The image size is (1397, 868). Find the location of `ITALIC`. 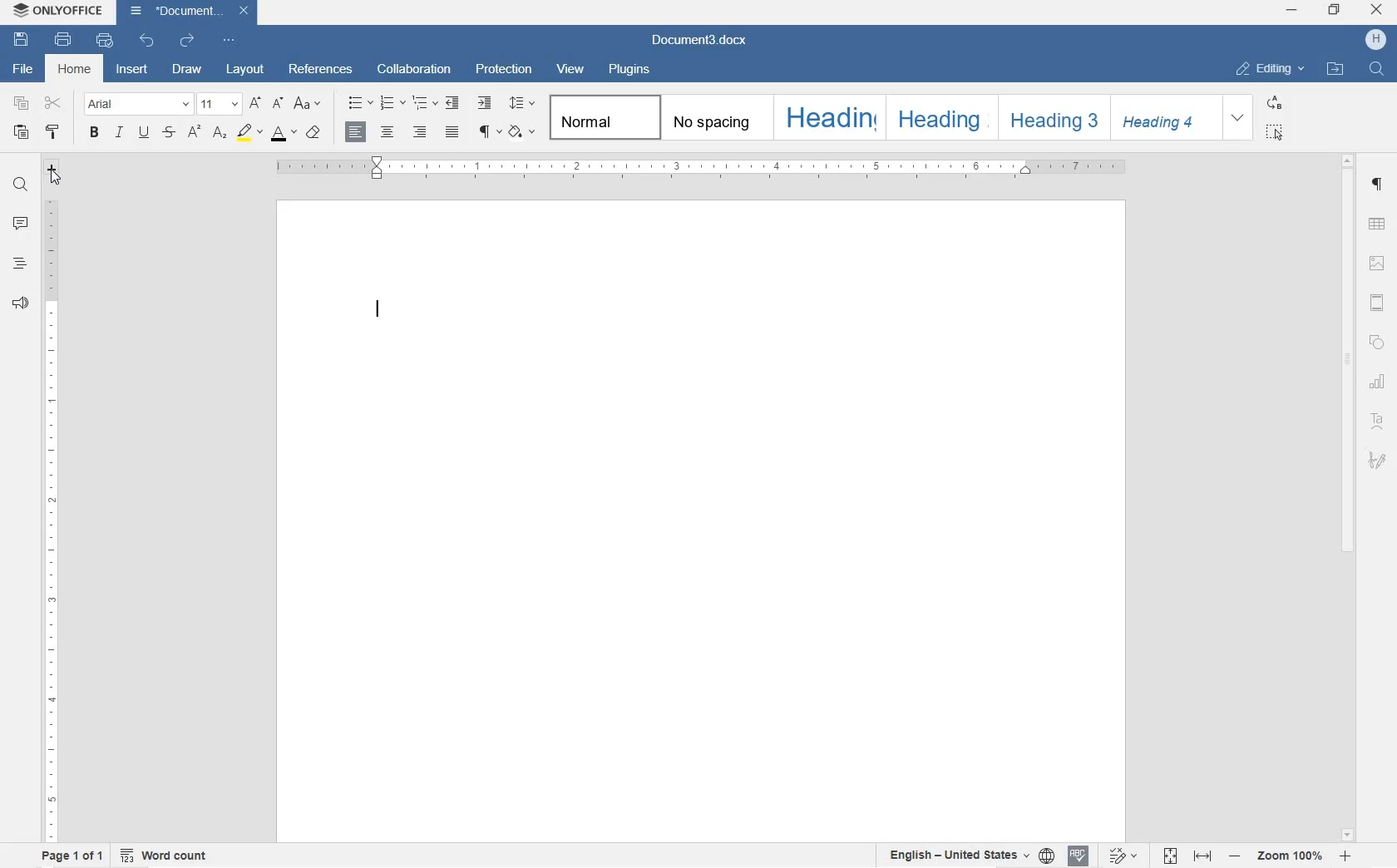

ITALIC is located at coordinates (119, 133).